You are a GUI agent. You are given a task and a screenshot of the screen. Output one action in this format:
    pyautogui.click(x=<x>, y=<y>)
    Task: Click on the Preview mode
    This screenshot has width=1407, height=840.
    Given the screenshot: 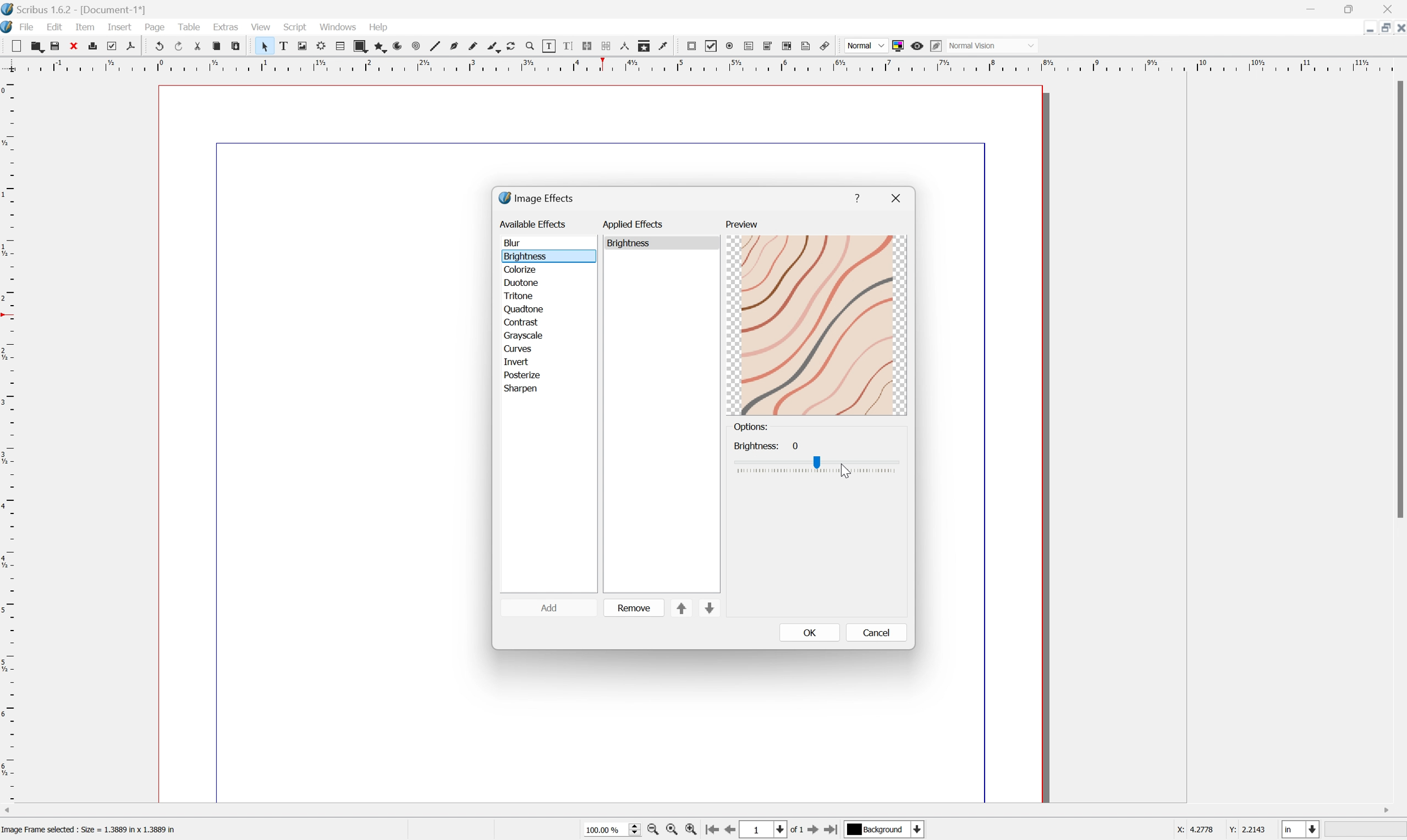 What is the action you would take?
    pyautogui.click(x=917, y=46)
    